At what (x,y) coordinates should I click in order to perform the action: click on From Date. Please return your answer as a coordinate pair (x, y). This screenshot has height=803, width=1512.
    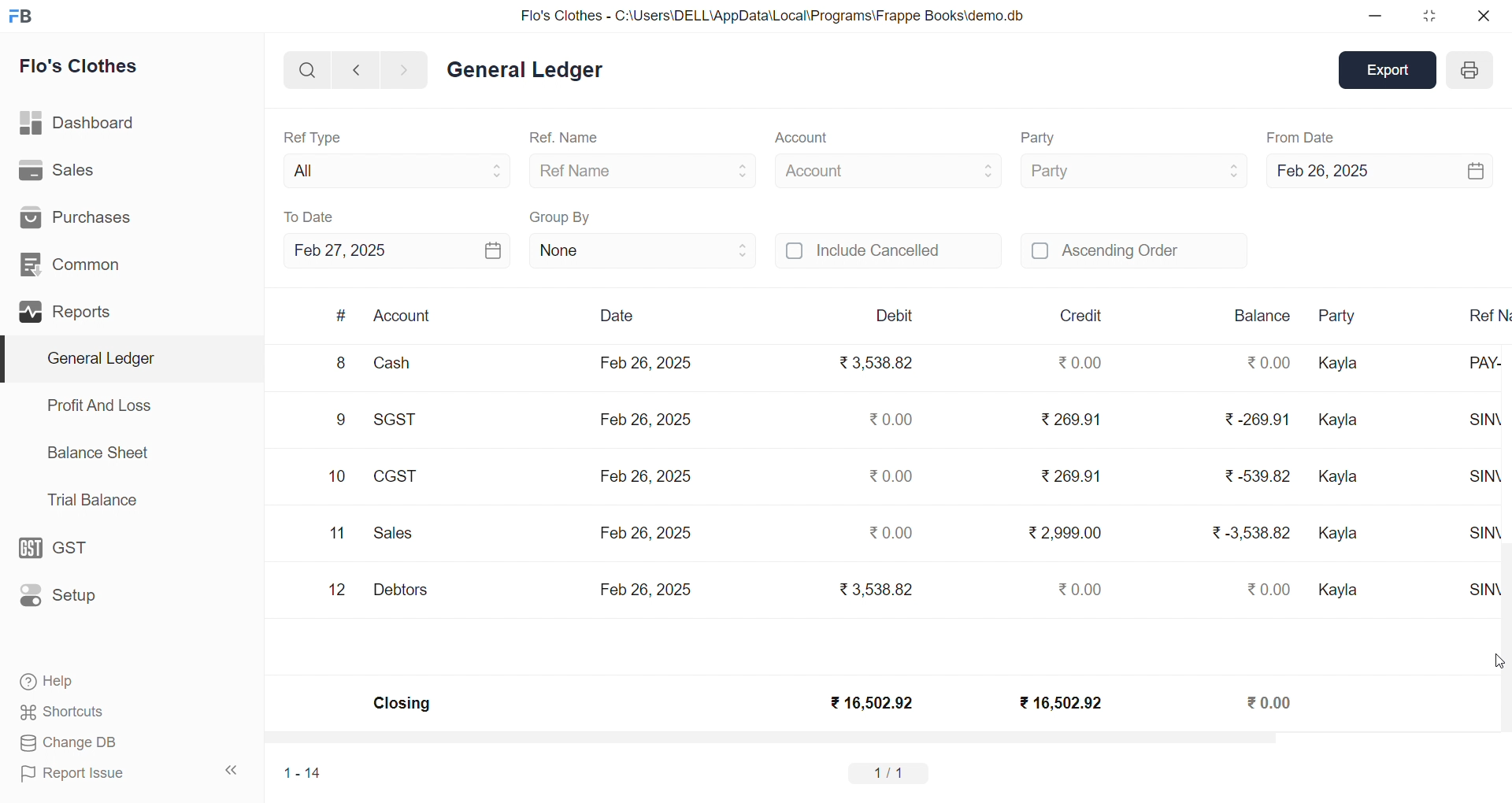
    Looking at the image, I should click on (1301, 137).